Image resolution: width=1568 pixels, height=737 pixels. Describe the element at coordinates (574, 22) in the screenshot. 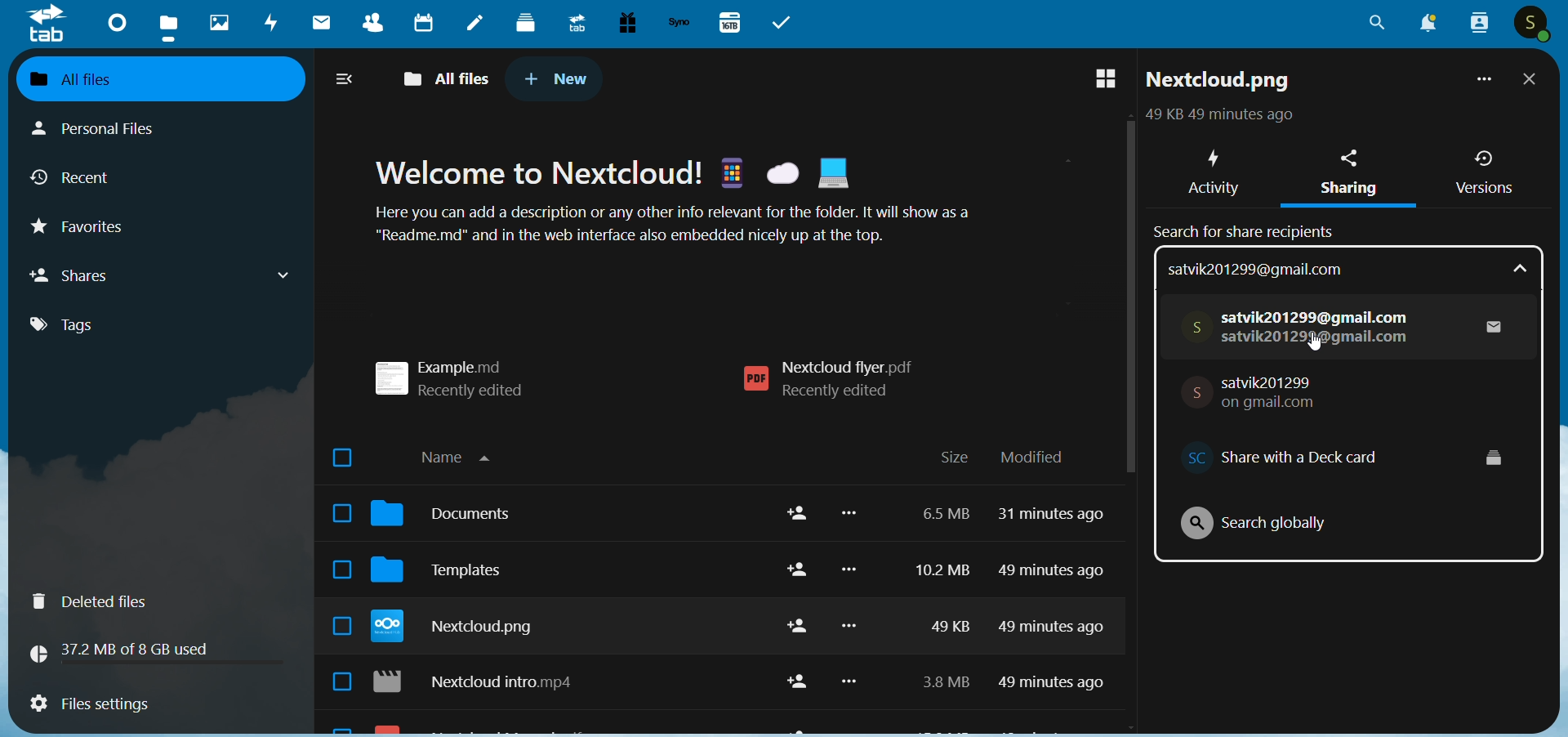

I see `upgrade` at that location.